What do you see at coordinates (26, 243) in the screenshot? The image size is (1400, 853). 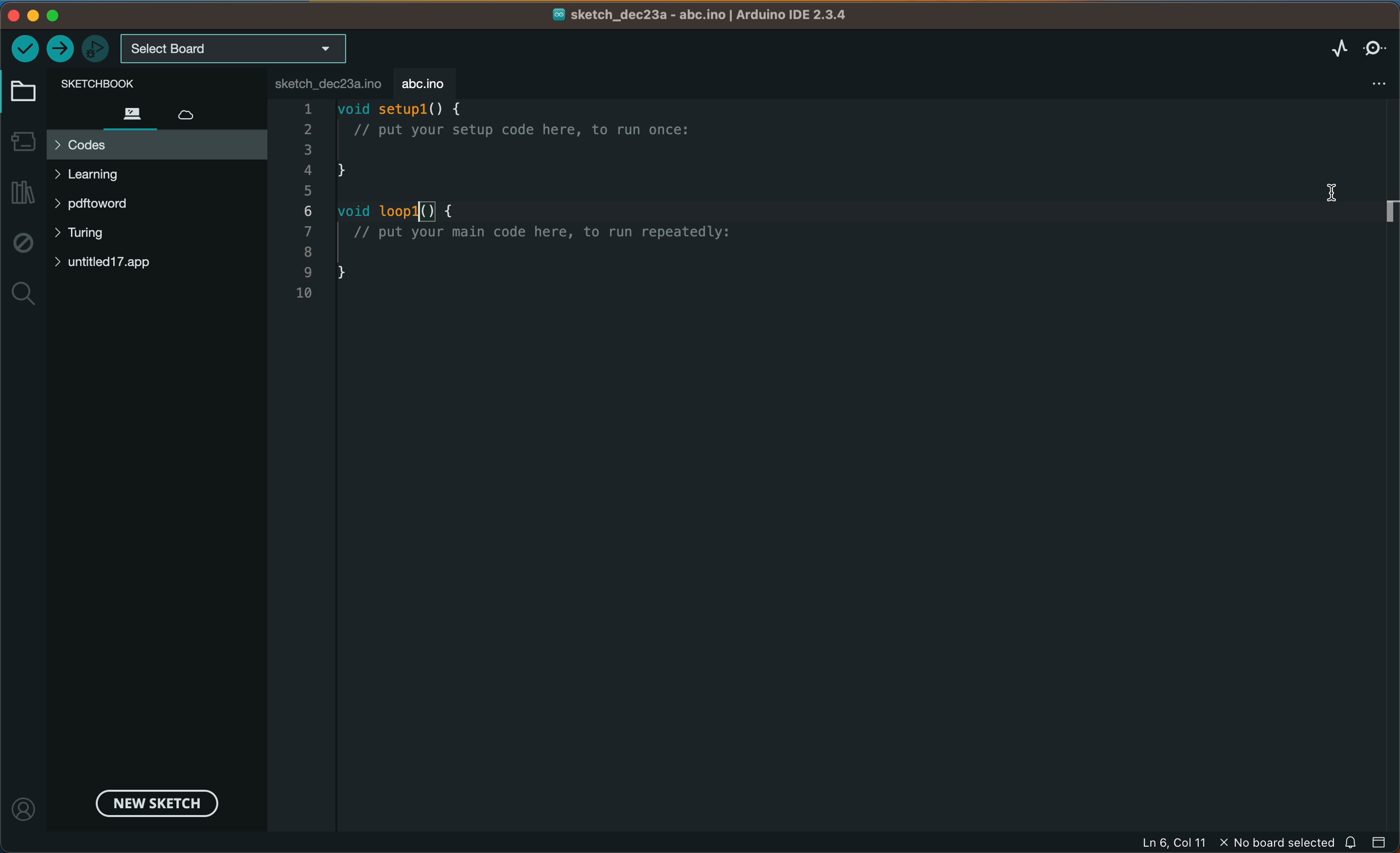 I see `debug` at bounding box center [26, 243].